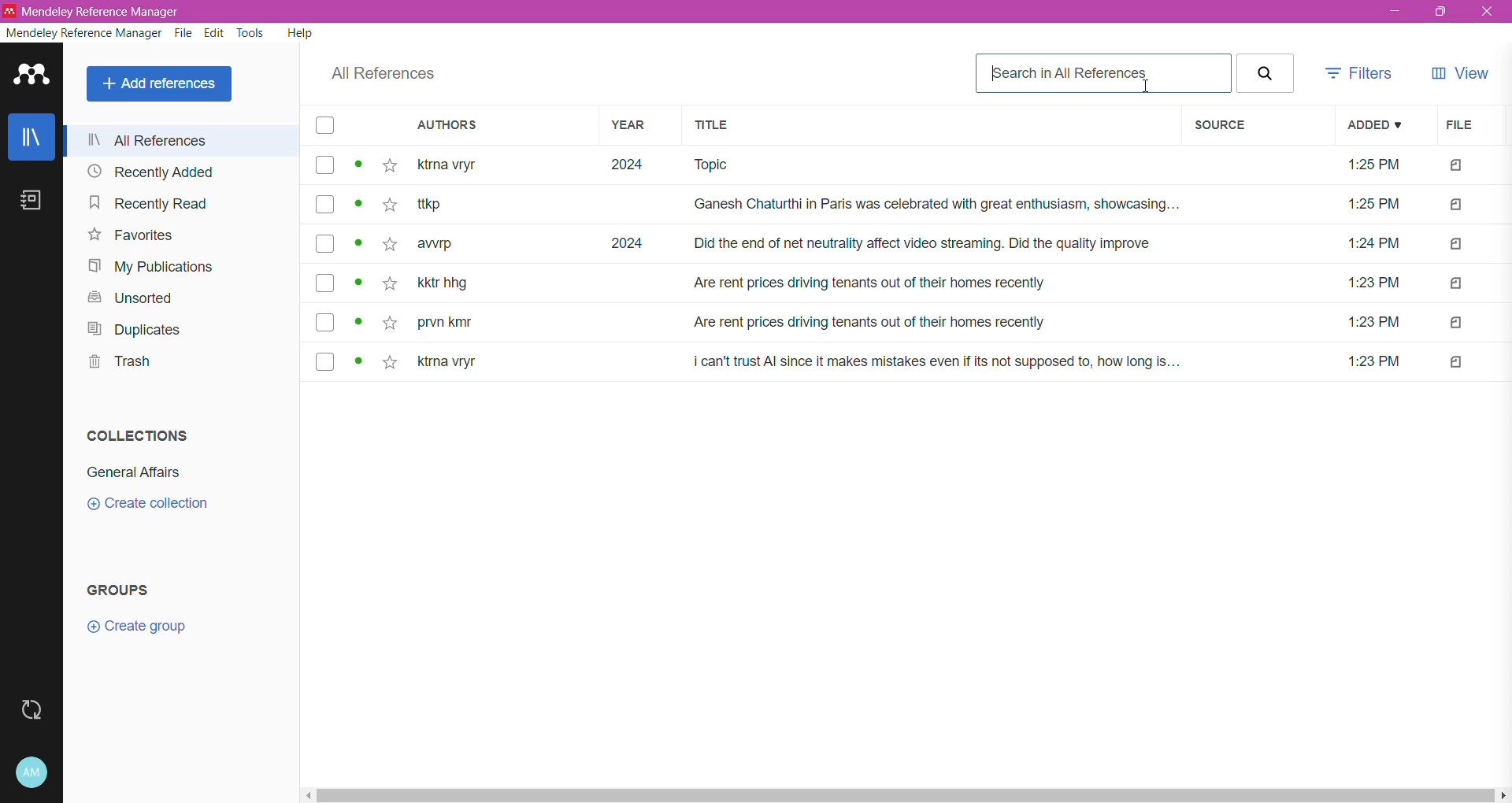  I want to click on select file, so click(324, 284).